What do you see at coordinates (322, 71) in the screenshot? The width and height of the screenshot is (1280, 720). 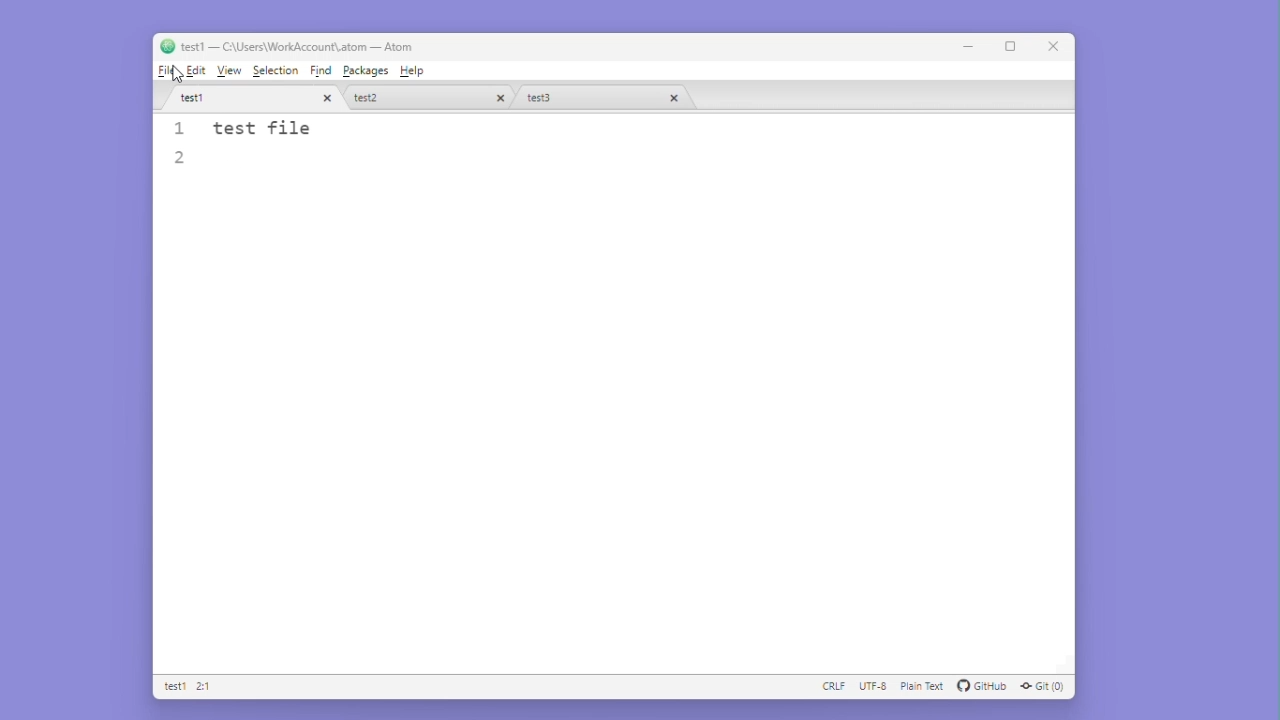 I see `Find` at bounding box center [322, 71].